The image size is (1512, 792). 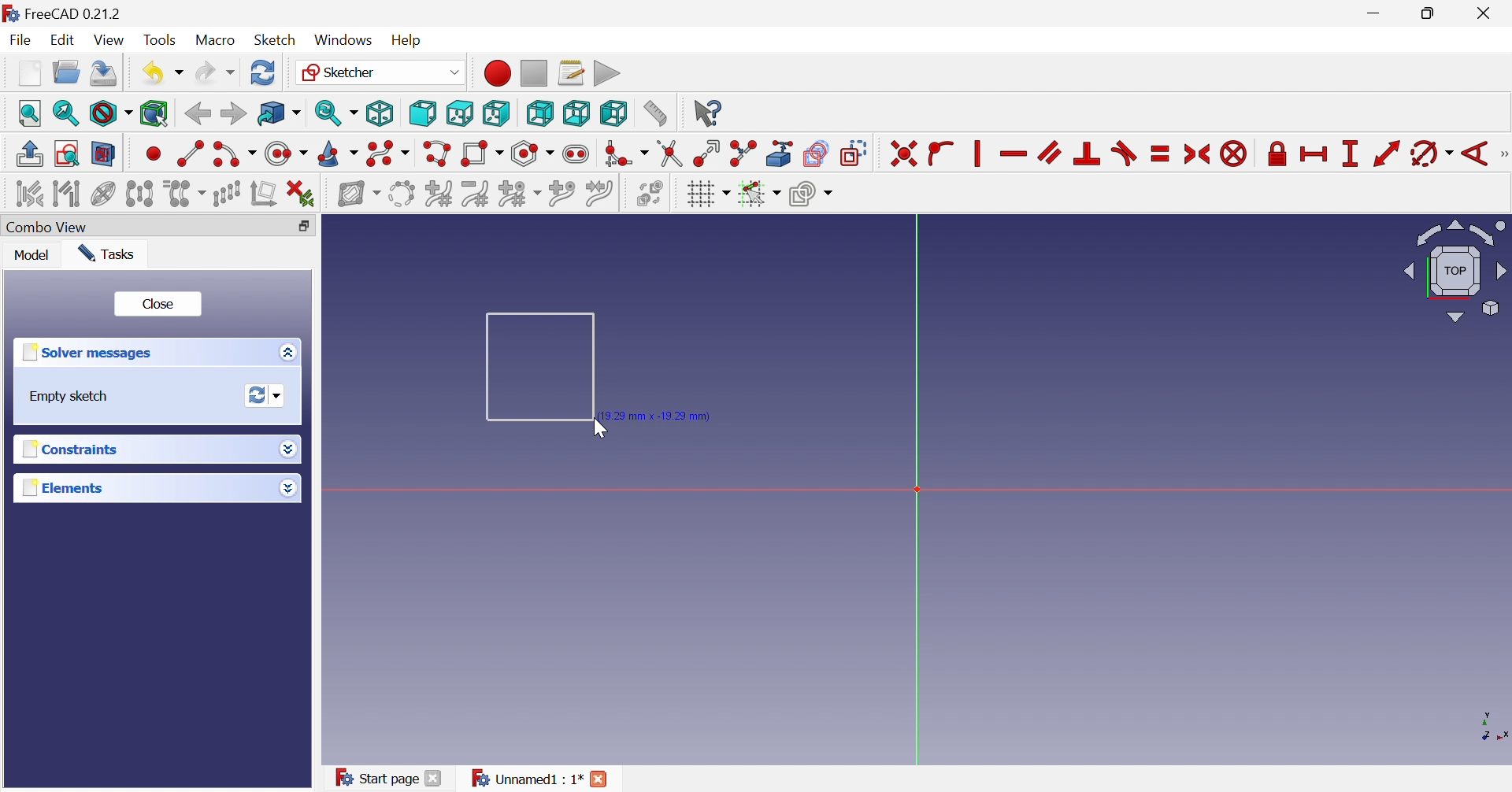 I want to click on Tools, so click(x=160, y=39).